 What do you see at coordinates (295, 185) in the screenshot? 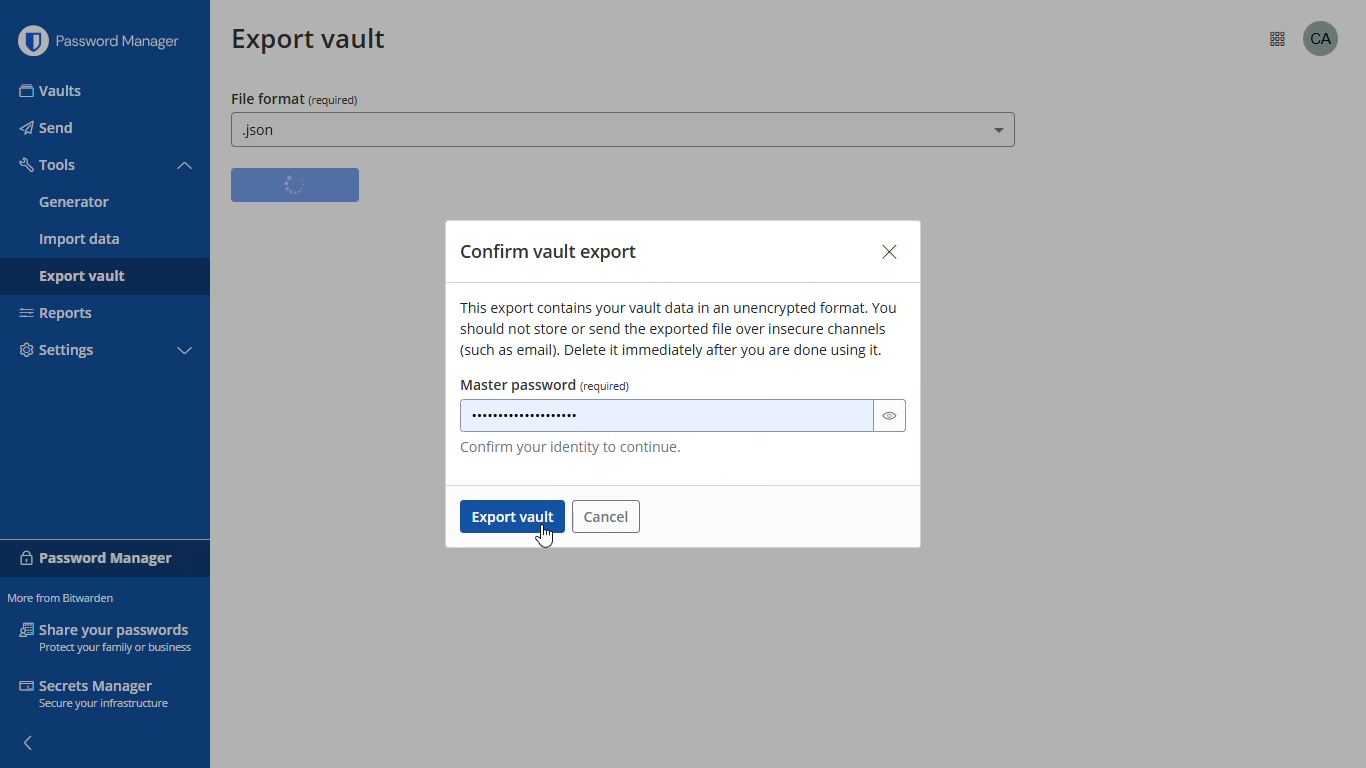
I see `loading` at bounding box center [295, 185].